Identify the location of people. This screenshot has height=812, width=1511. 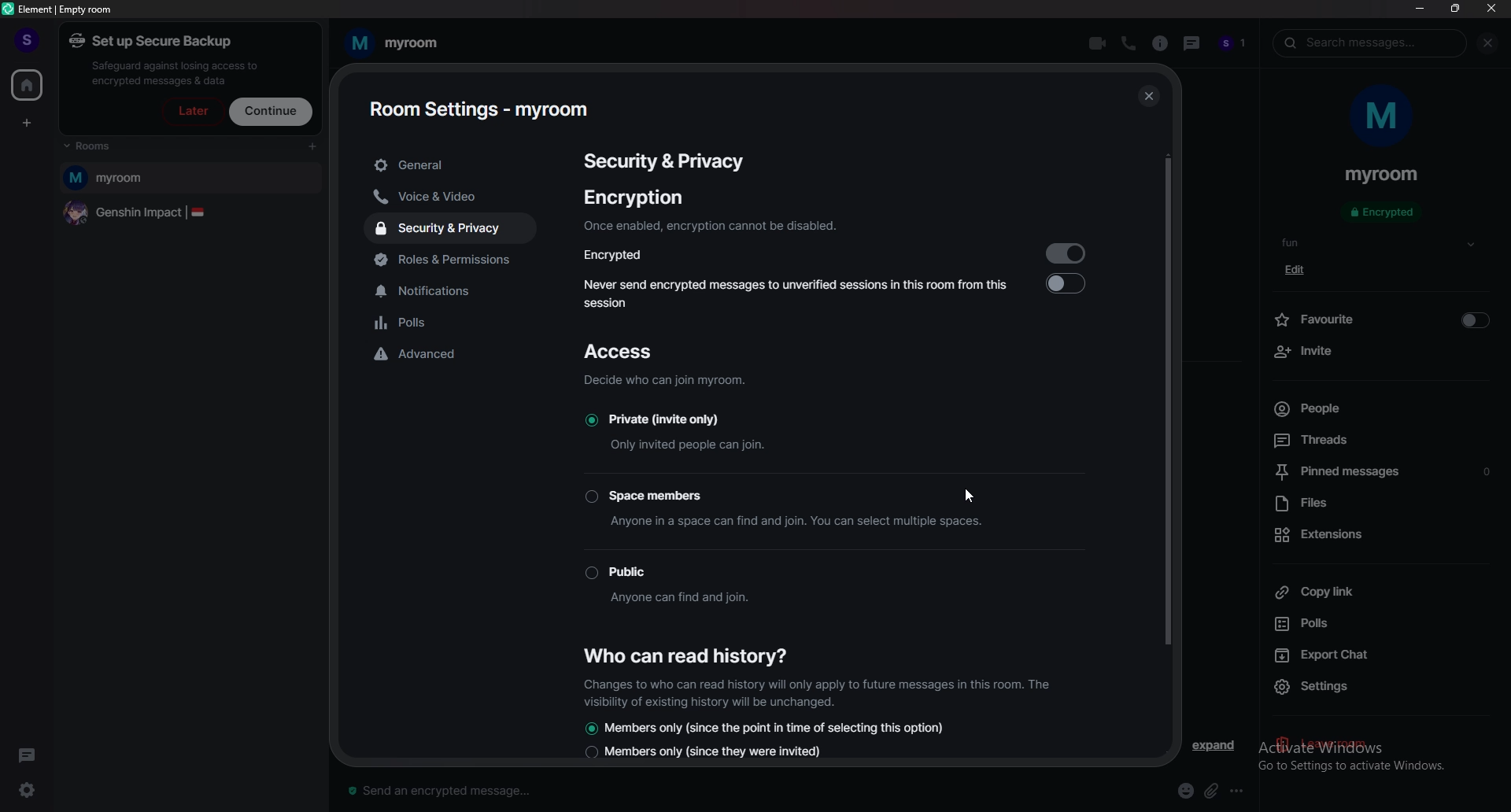
(1381, 408).